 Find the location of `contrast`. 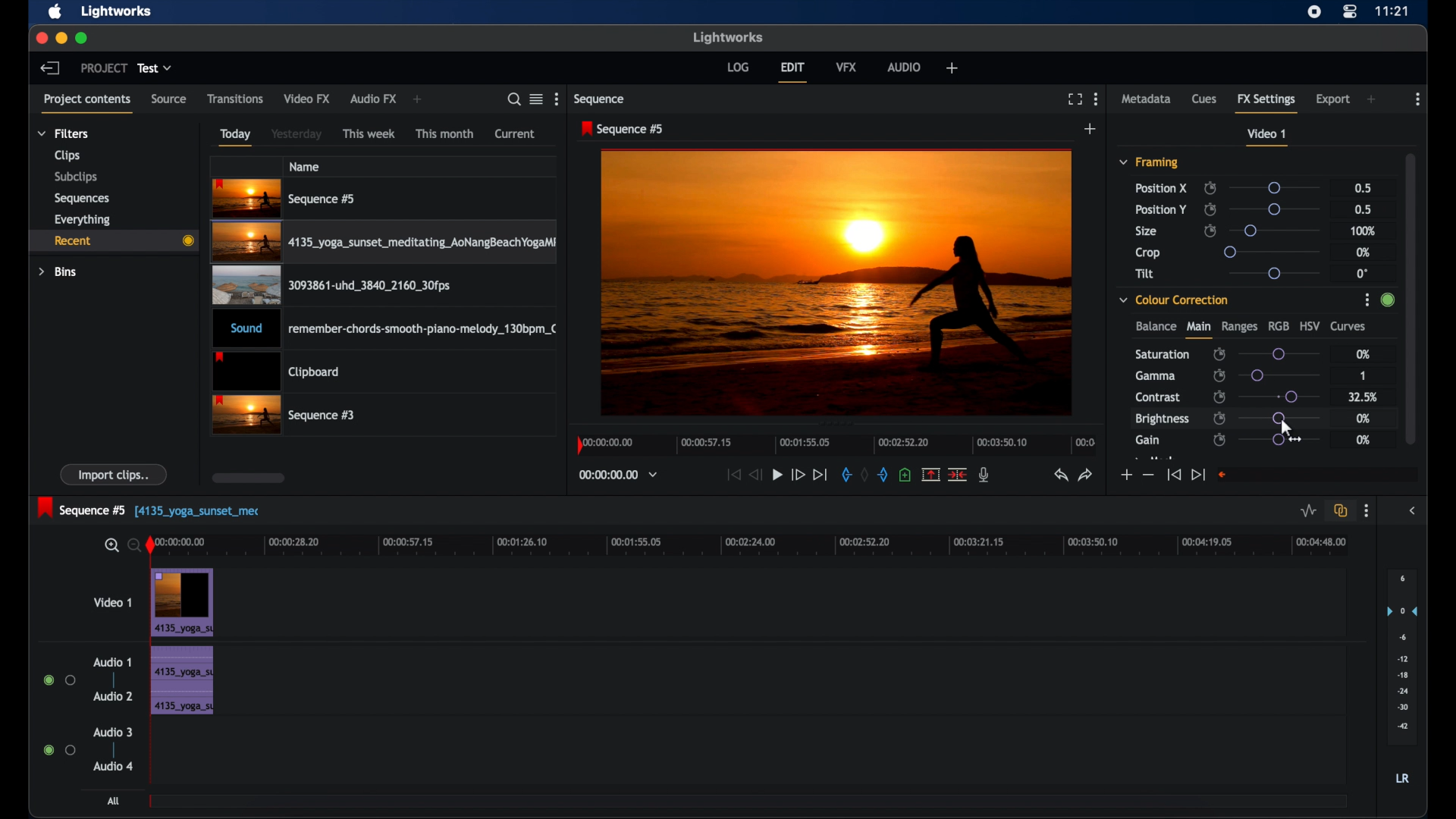

contrast is located at coordinates (1157, 398).